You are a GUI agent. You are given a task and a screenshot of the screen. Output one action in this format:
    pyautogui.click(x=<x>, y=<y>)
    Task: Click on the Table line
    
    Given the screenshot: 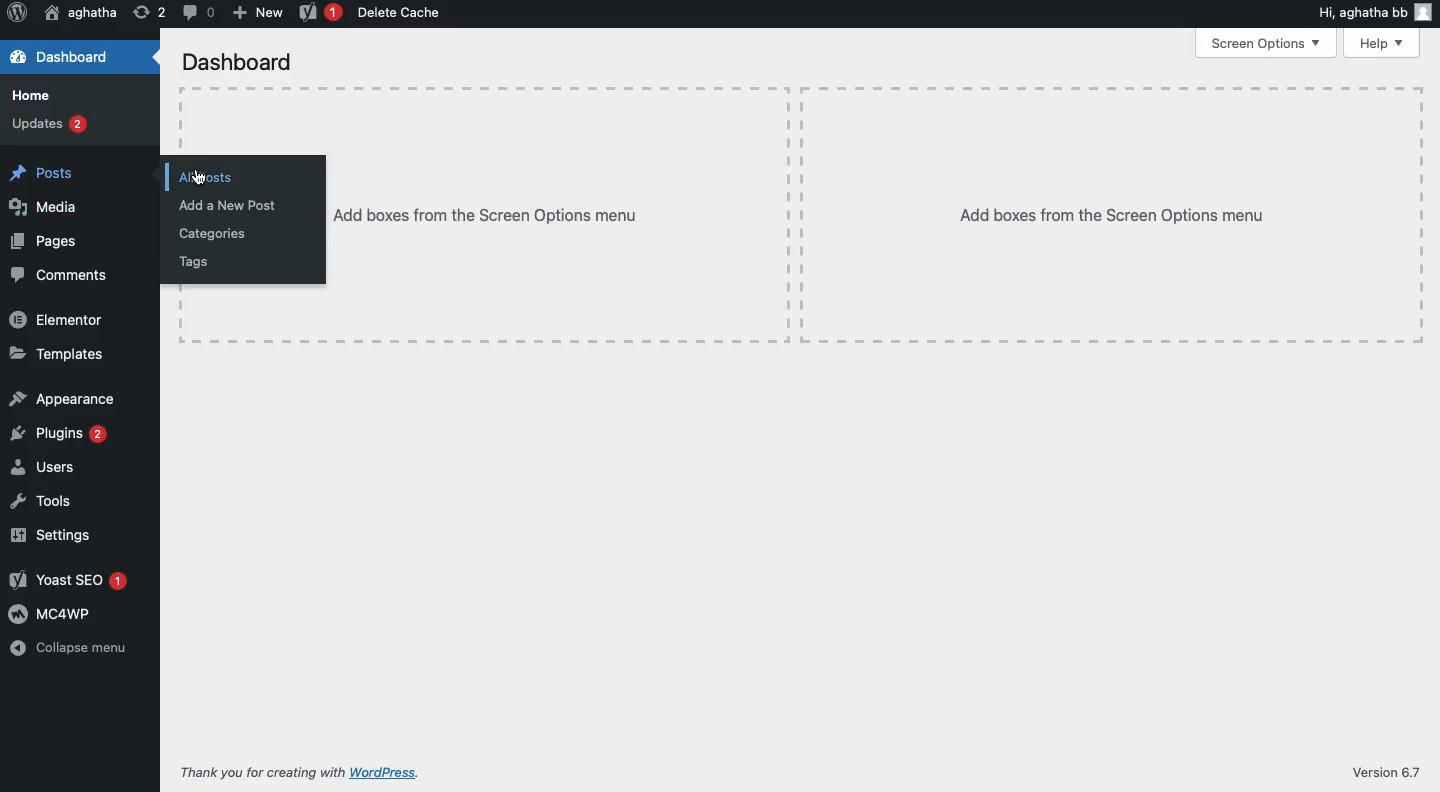 What is the action you would take?
    pyautogui.click(x=800, y=87)
    